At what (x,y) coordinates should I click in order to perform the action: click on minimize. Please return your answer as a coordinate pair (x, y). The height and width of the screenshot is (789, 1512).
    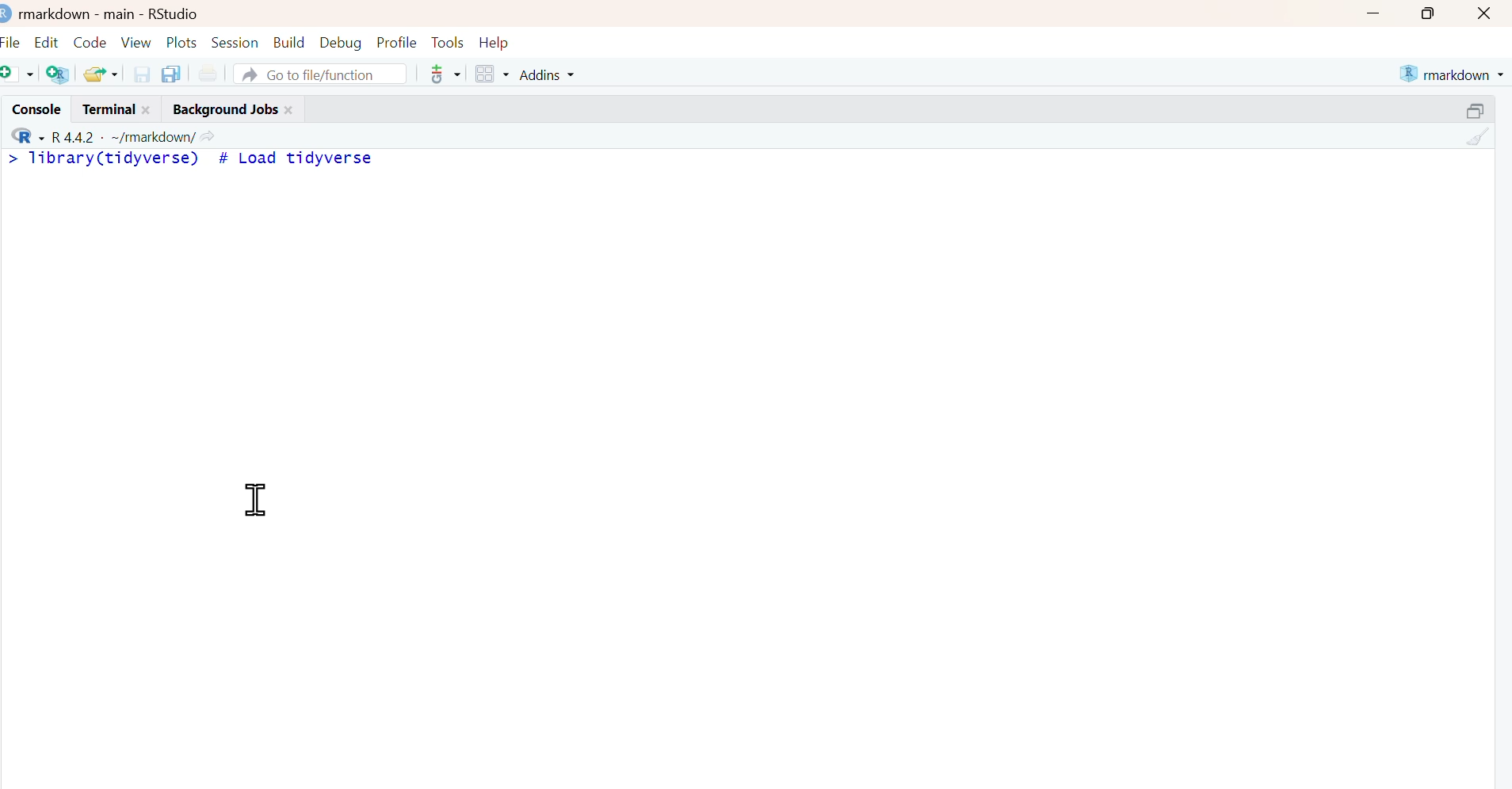
    Looking at the image, I should click on (1373, 13).